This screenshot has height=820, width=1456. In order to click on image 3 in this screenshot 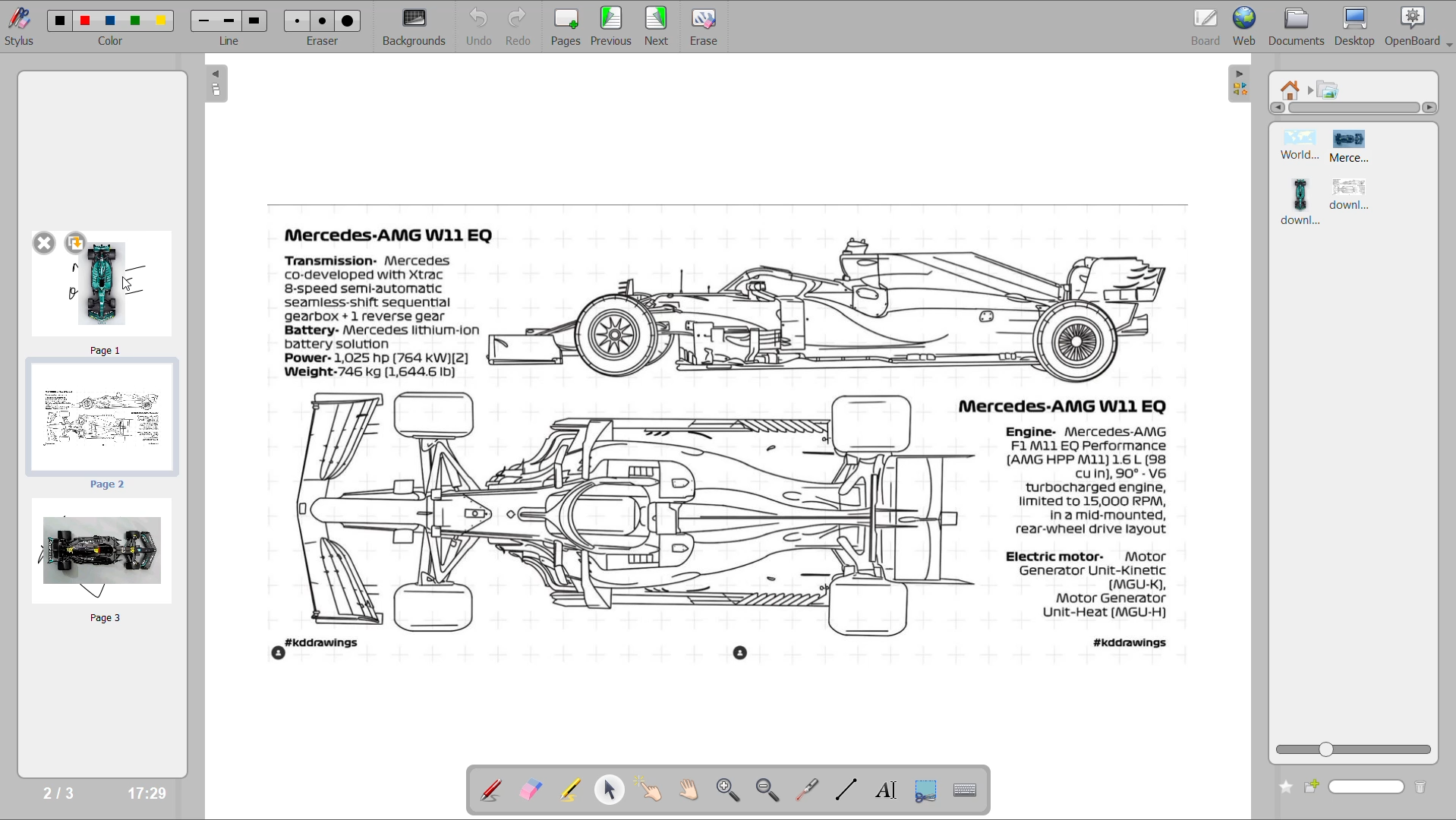, I will do `click(1300, 202)`.